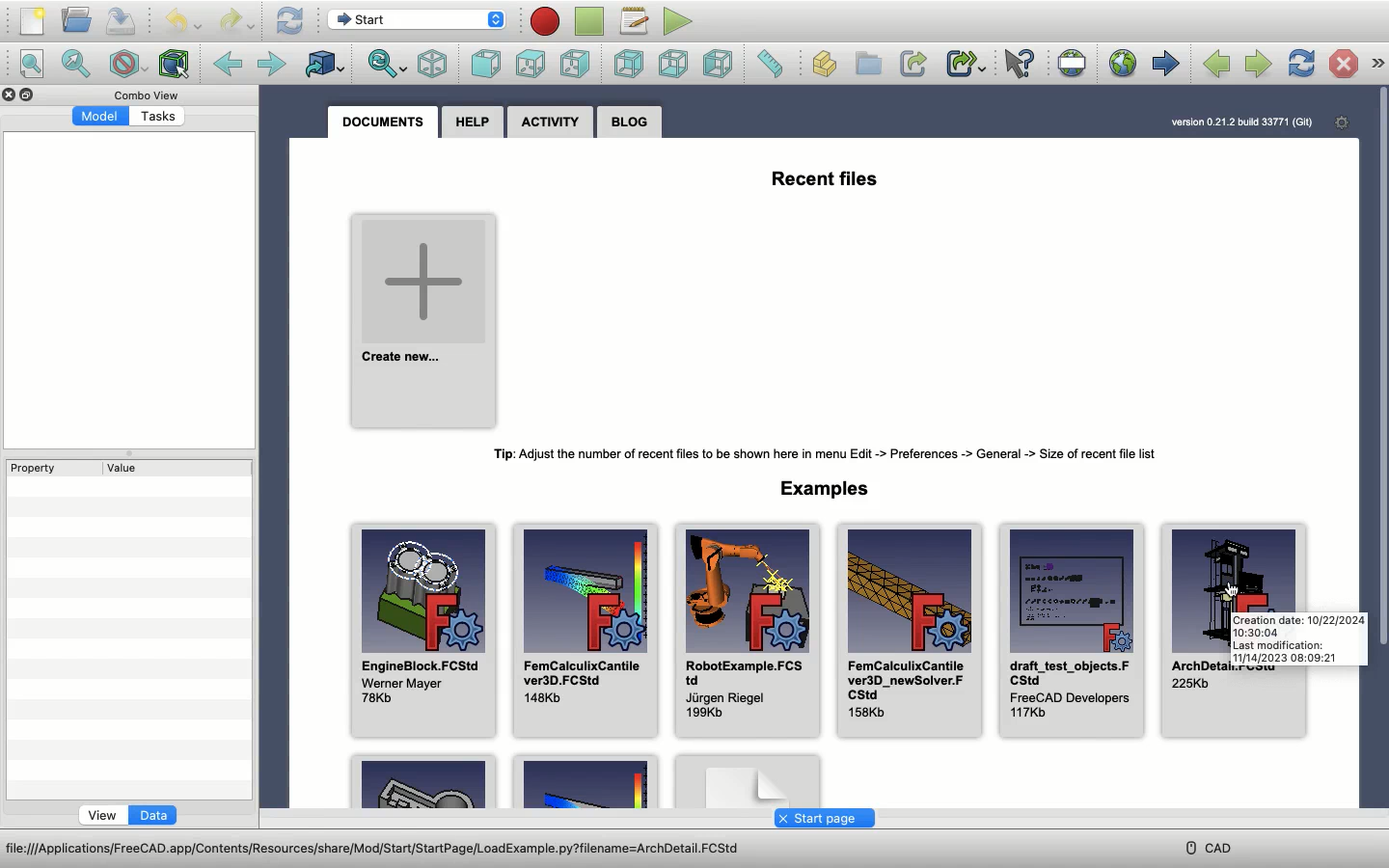 Image resolution: width=1389 pixels, height=868 pixels. Describe the element at coordinates (670, 65) in the screenshot. I see `Bottom` at that location.